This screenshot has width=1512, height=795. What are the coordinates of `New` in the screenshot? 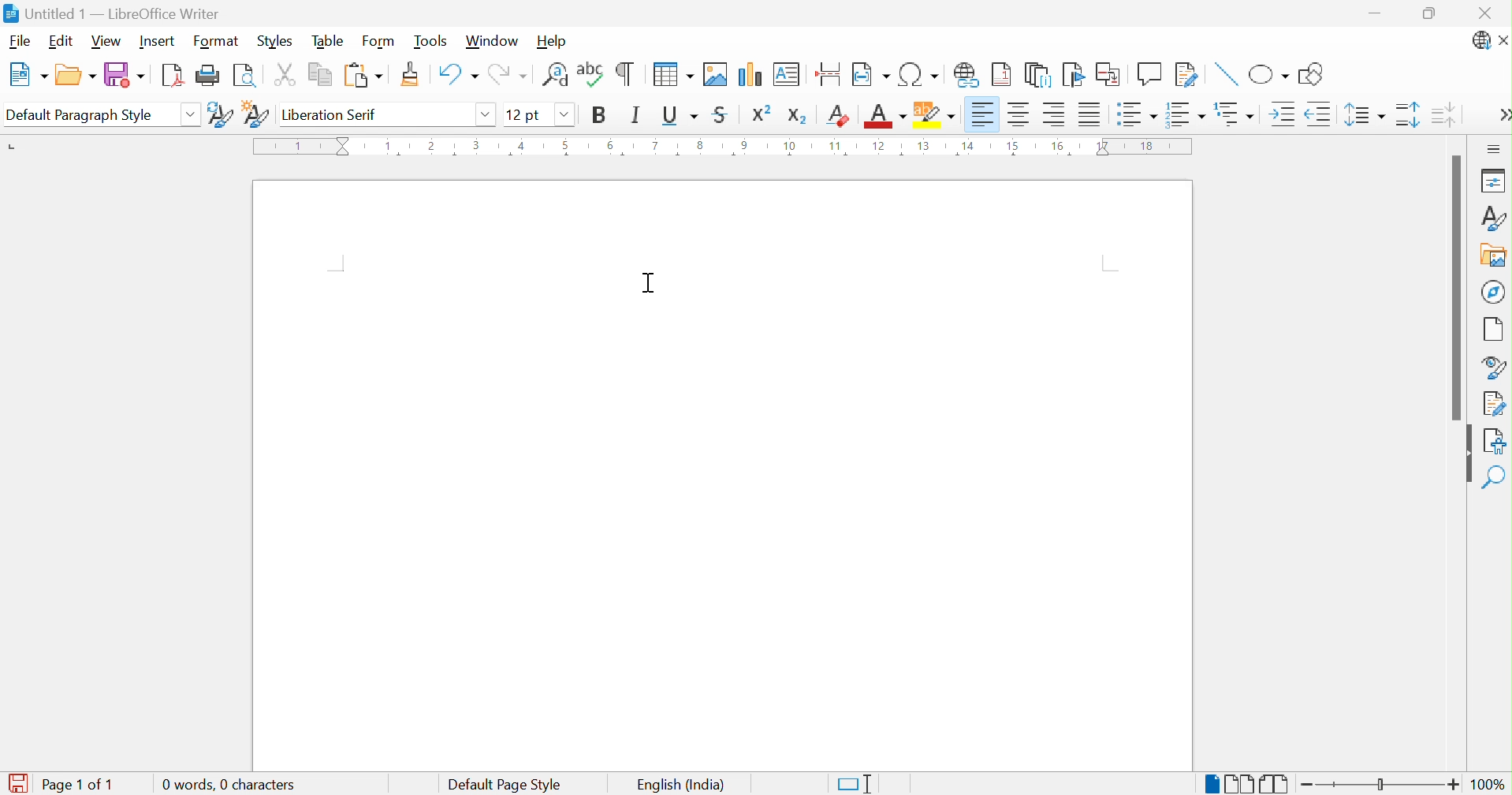 It's located at (27, 75).